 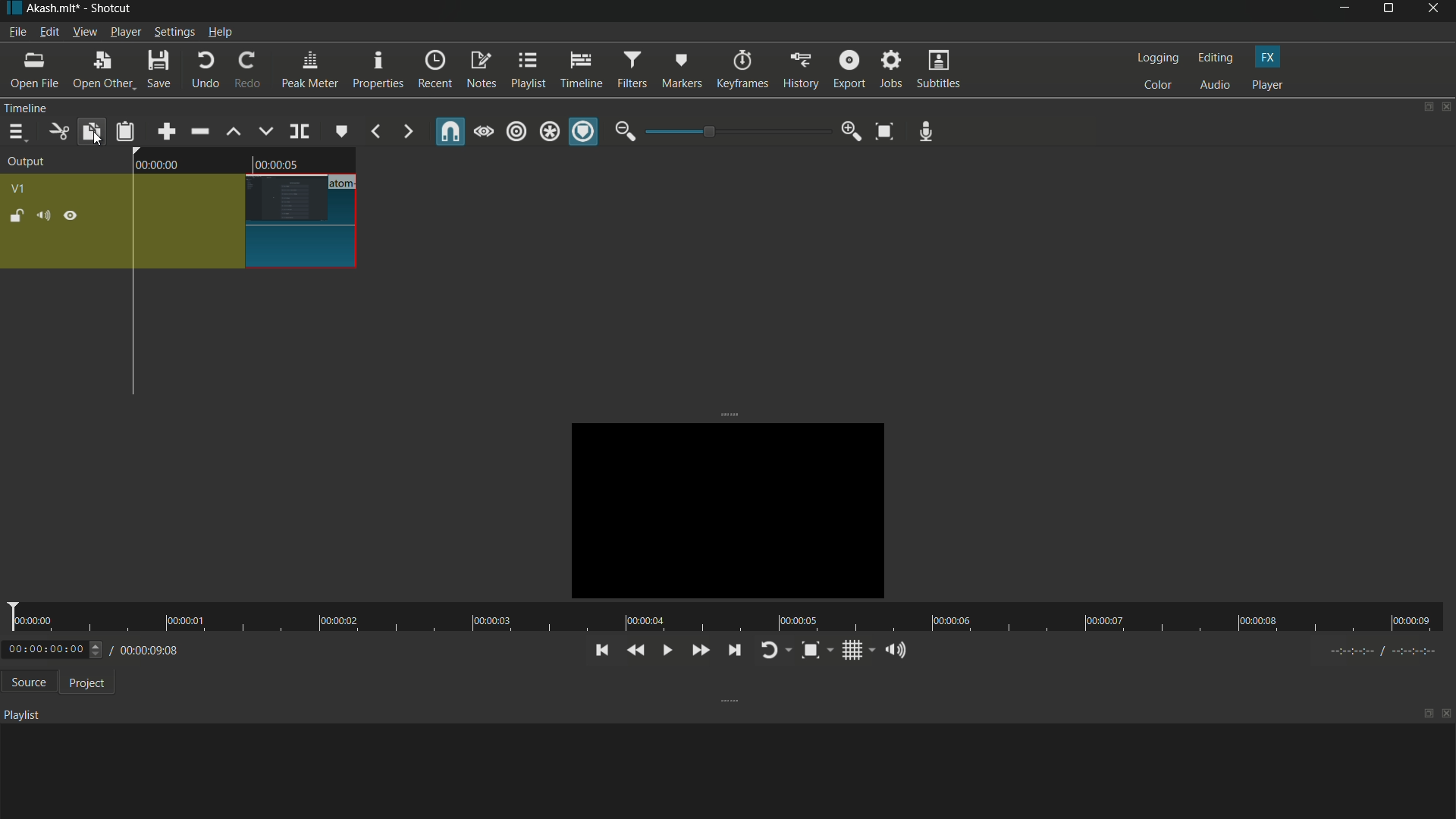 What do you see at coordinates (1216, 86) in the screenshot?
I see `audio` at bounding box center [1216, 86].